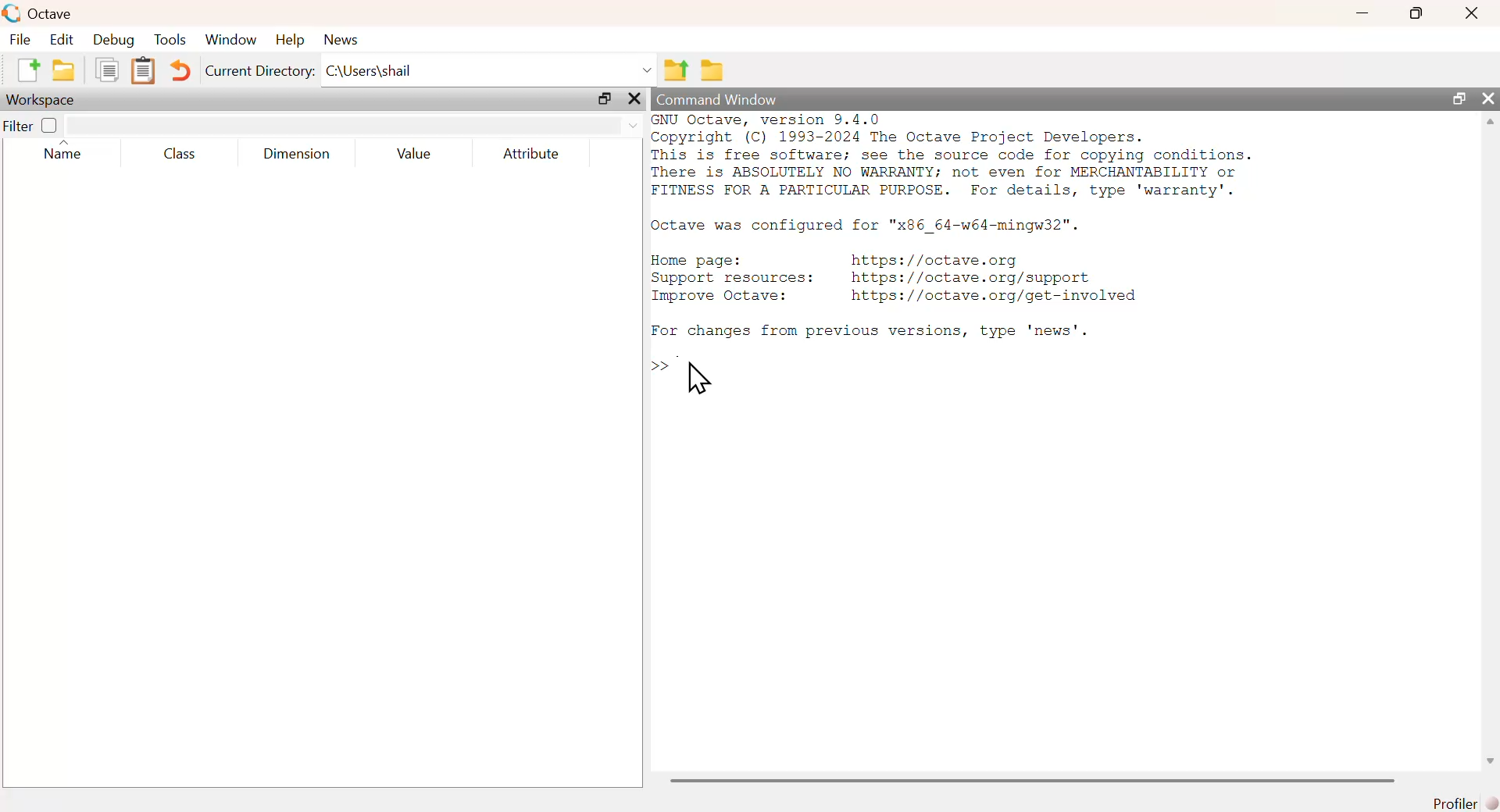 Image resolution: width=1500 pixels, height=812 pixels. Describe the element at coordinates (27, 69) in the screenshot. I see `new script` at that location.